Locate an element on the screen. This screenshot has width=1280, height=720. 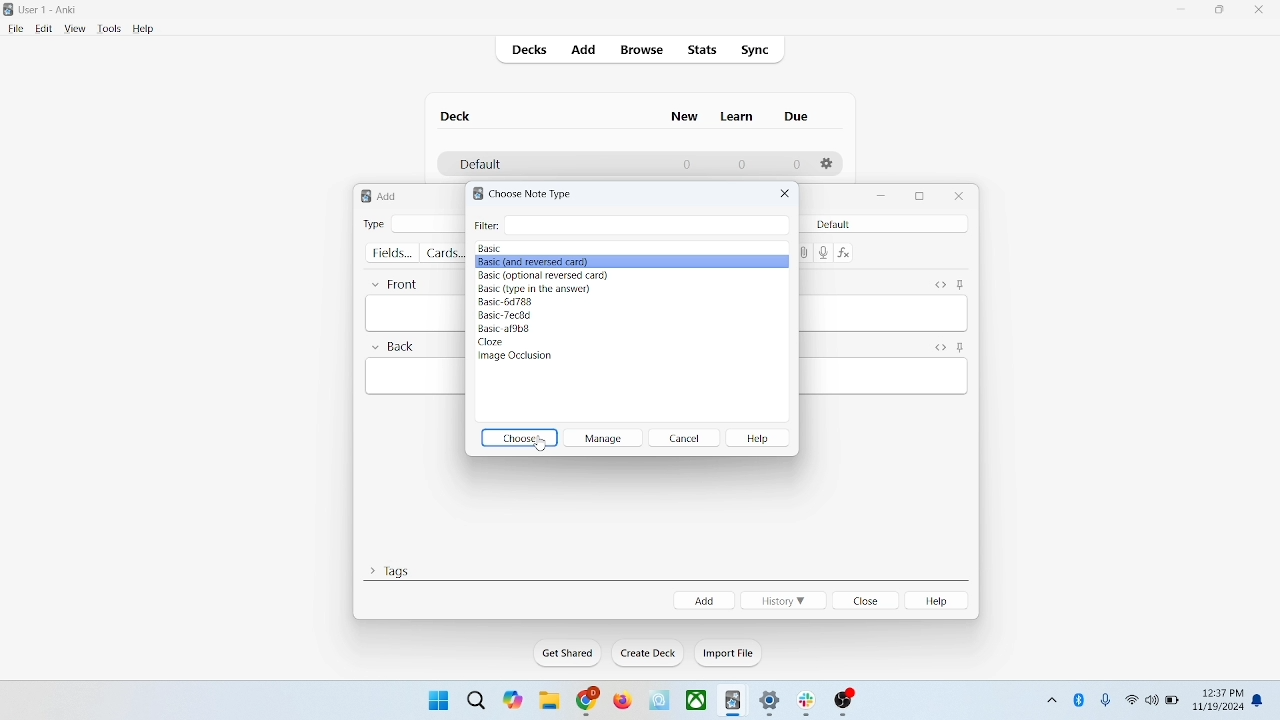
speaker is located at coordinates (1152, 699).